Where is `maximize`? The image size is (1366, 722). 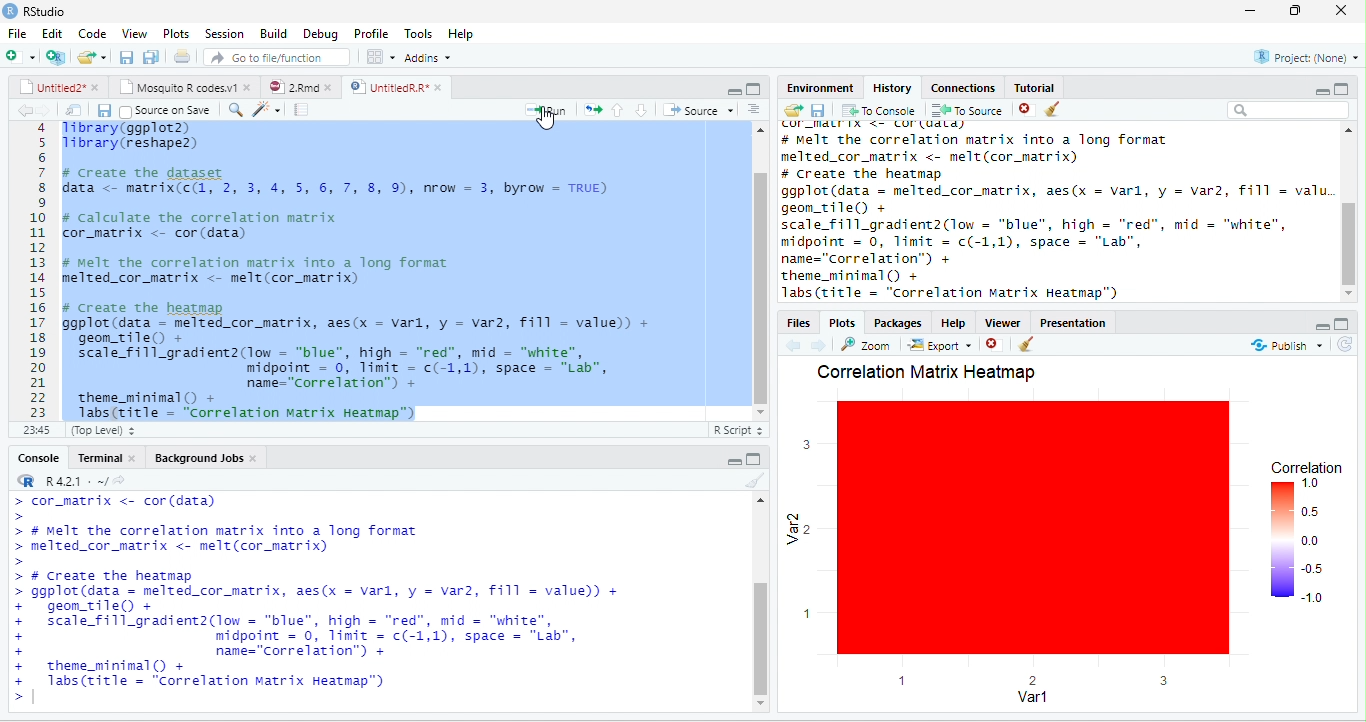 maximize is located at coordinates (755, 459).